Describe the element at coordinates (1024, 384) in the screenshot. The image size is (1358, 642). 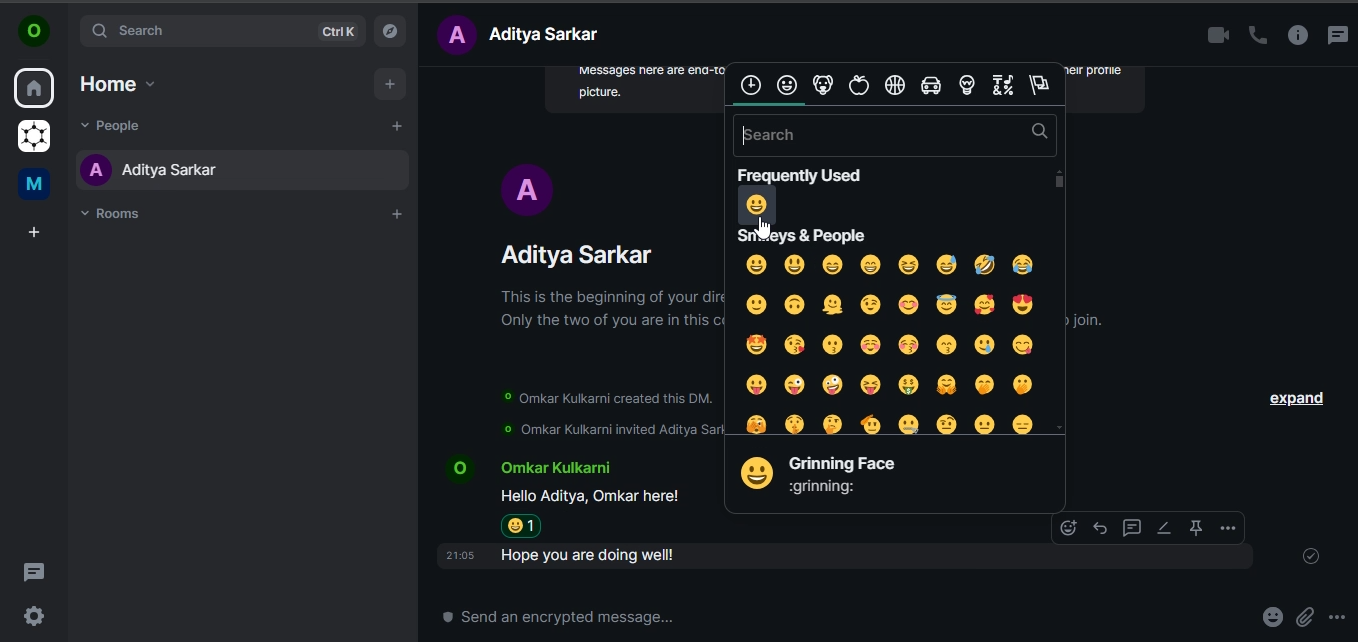
I see `face with open eyes and hand over over mouth` at that location.